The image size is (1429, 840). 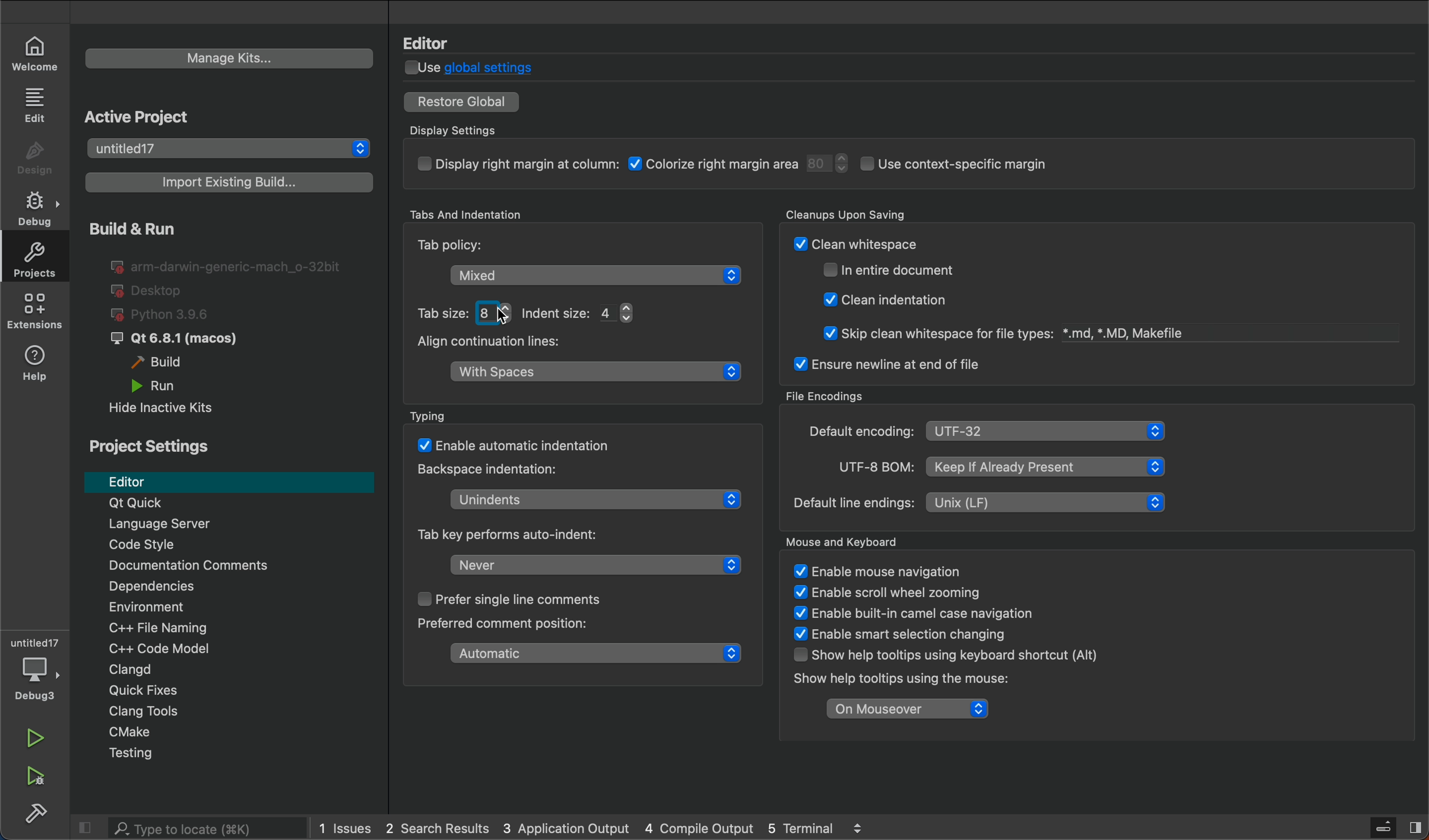 I want to click on testing, so click(x=231, y=757).